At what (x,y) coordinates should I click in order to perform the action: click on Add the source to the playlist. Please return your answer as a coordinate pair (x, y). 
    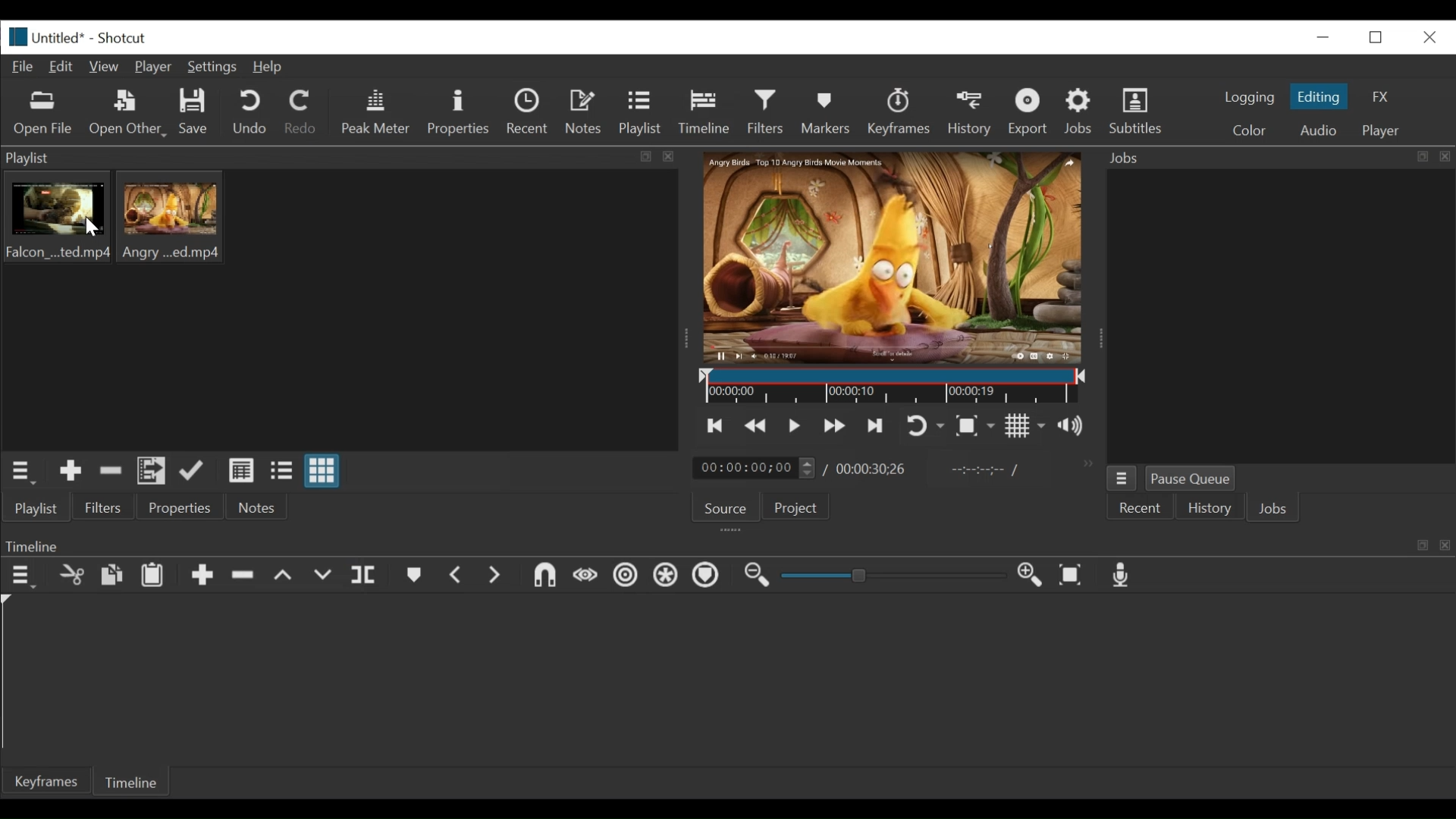
    Looking at the image, I should click on (69, 473).